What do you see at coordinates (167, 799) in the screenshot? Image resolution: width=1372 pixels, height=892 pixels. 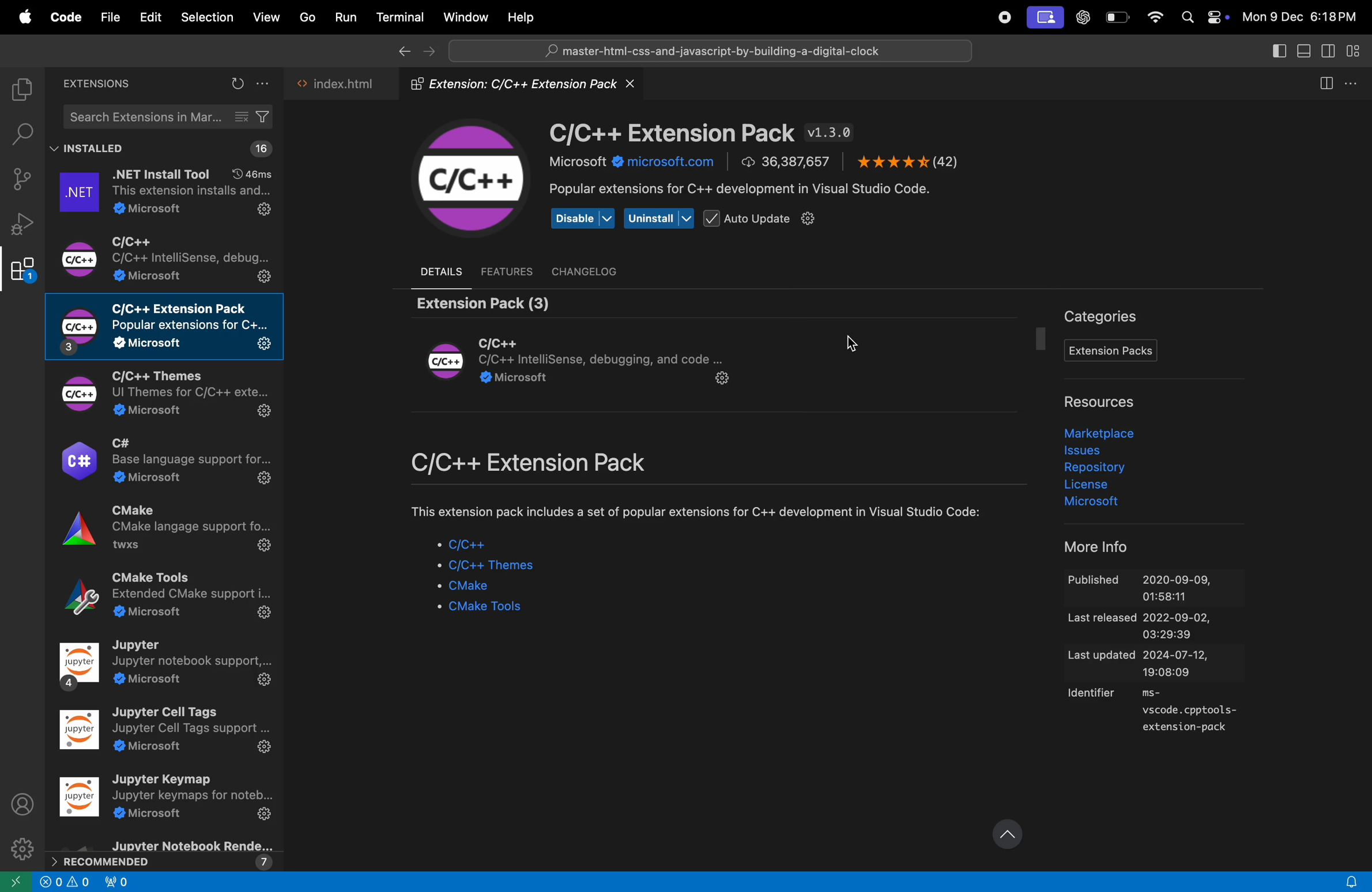 I see `jupyter key map extensions` at bounding box center [167, 799].